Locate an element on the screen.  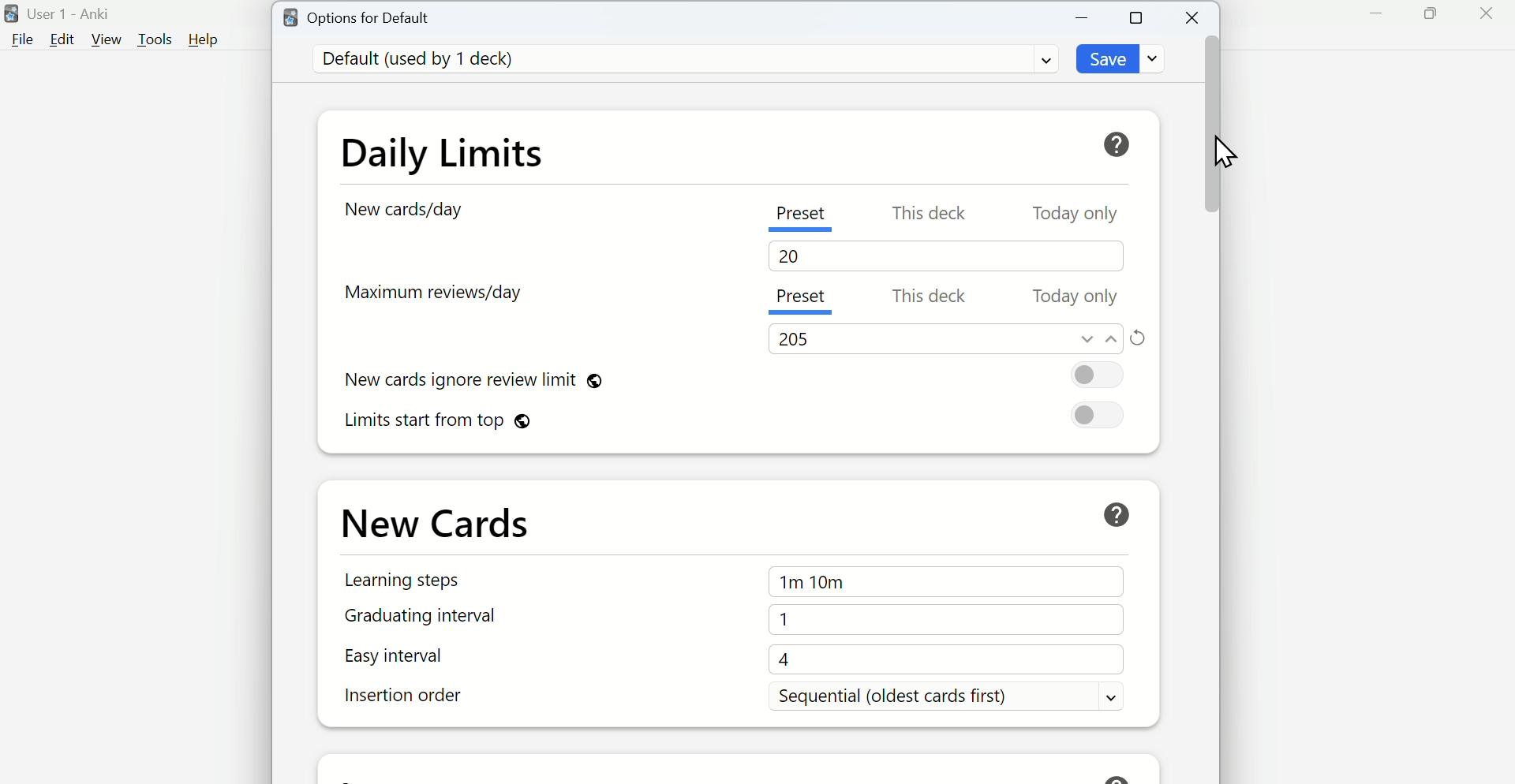
File is located at coordinates (20, 40).